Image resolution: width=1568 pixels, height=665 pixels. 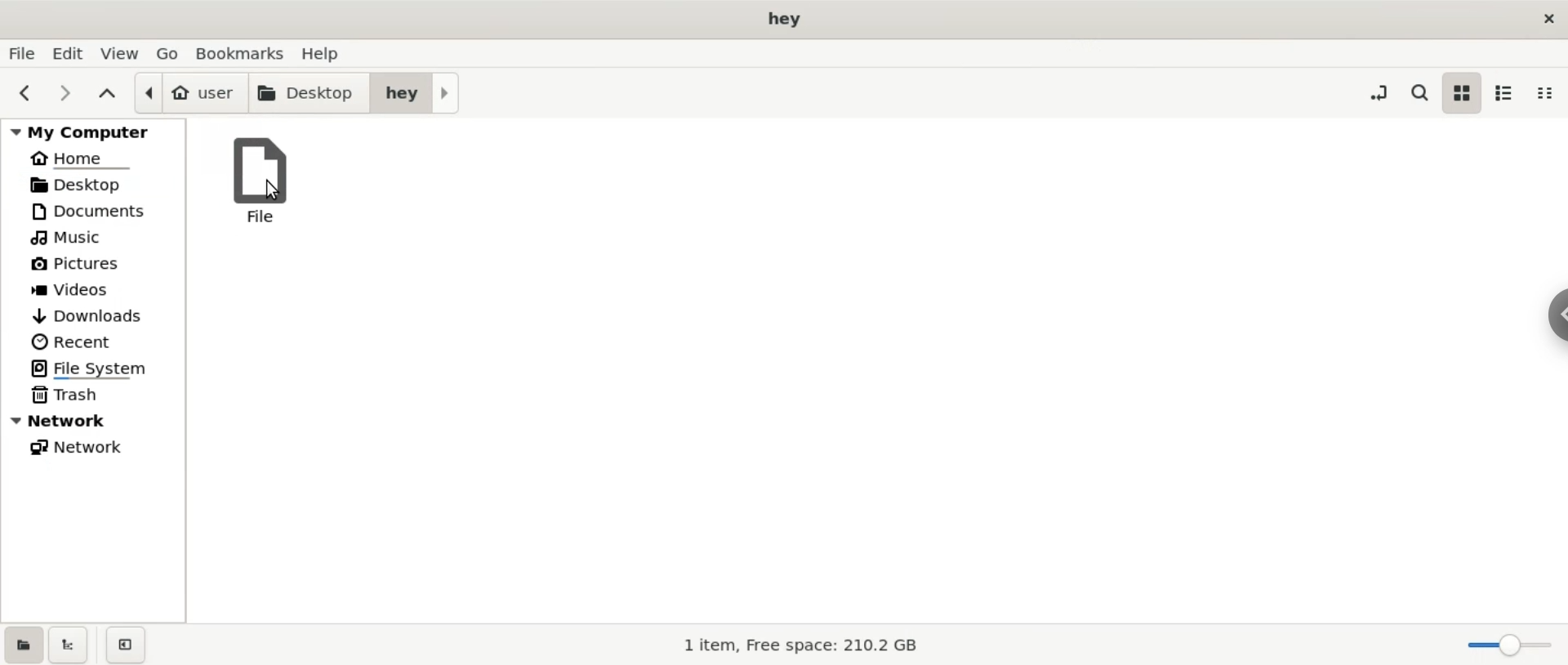 What do you see at coordinates (1501, 645) in the screenshot?
I see `zoom` at bounding box center [1501, 645].